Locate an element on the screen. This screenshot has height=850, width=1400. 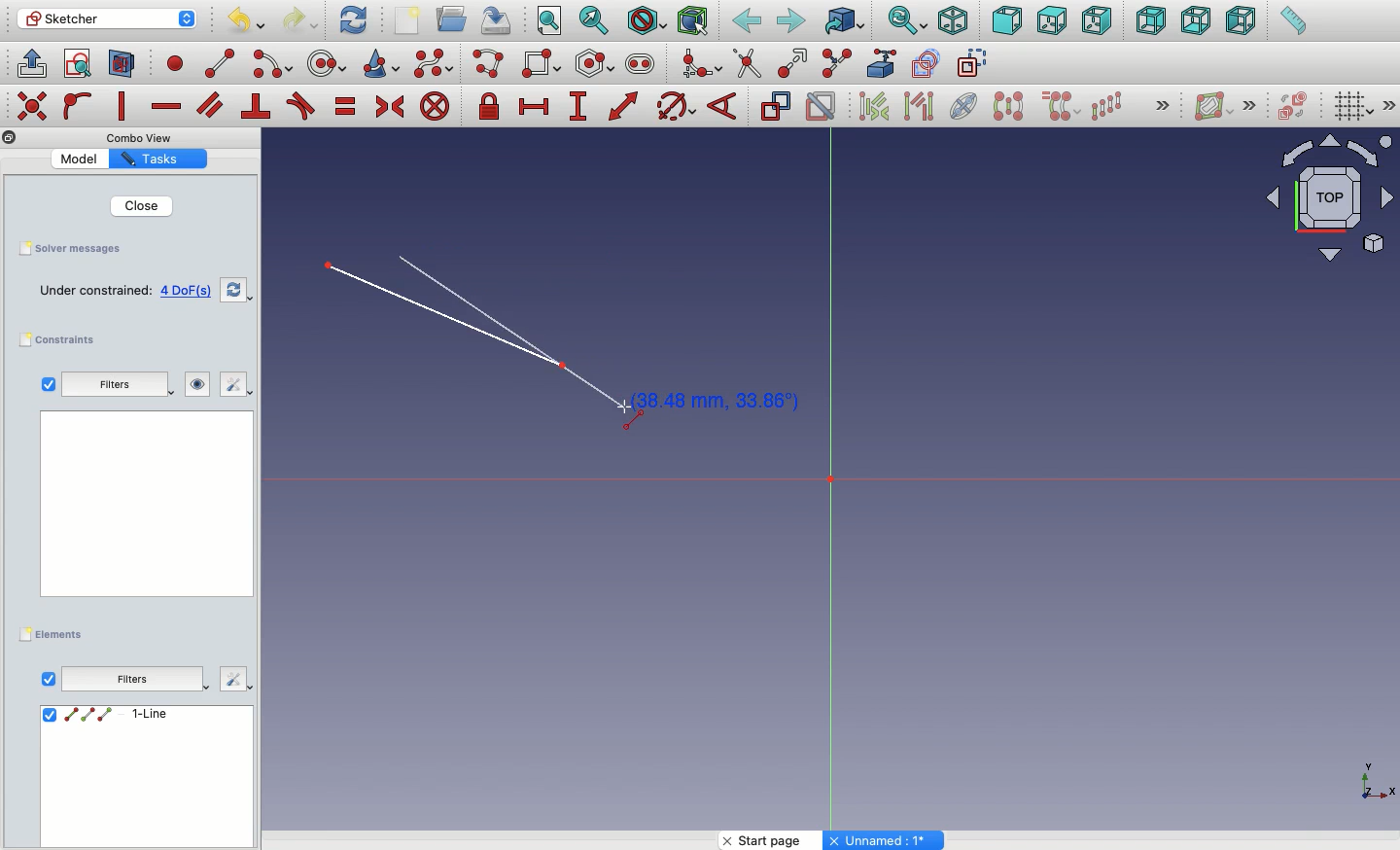
Create fillet is located at coordinates (700, 64).